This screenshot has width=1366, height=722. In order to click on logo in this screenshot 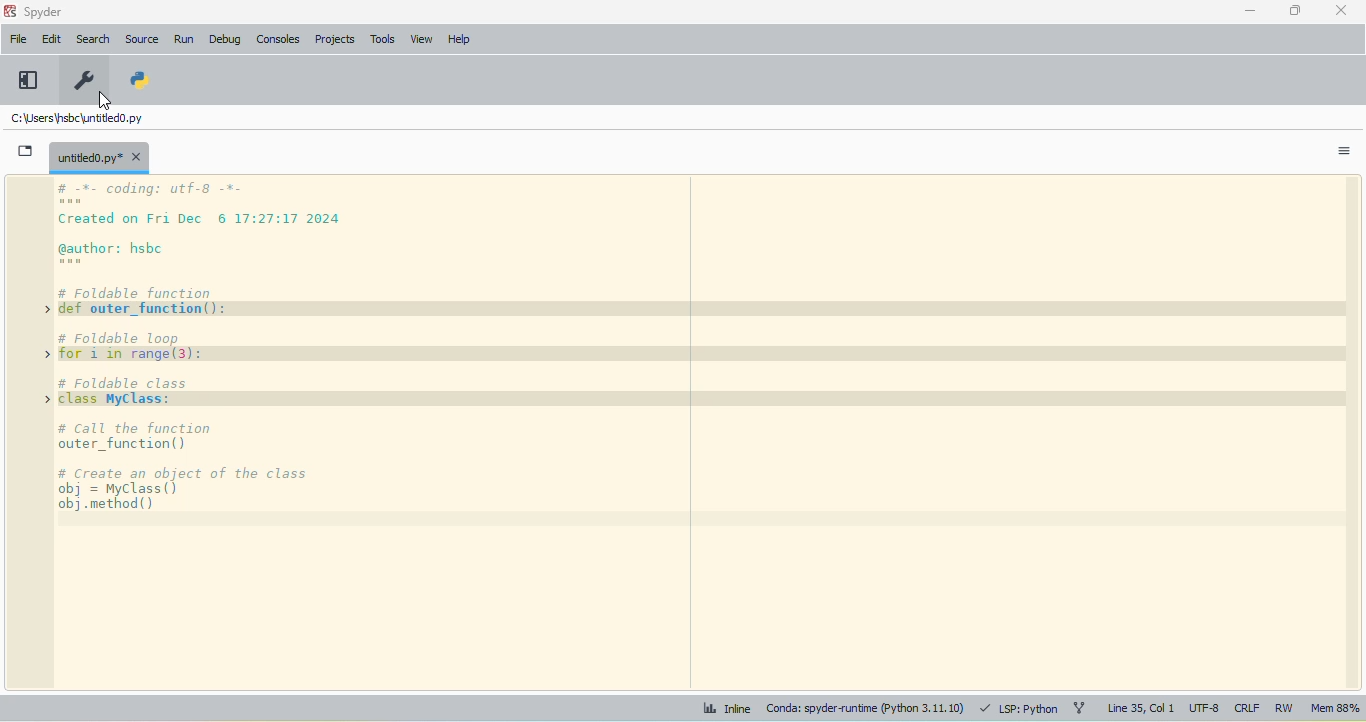, I will do `click(10, 11)`.